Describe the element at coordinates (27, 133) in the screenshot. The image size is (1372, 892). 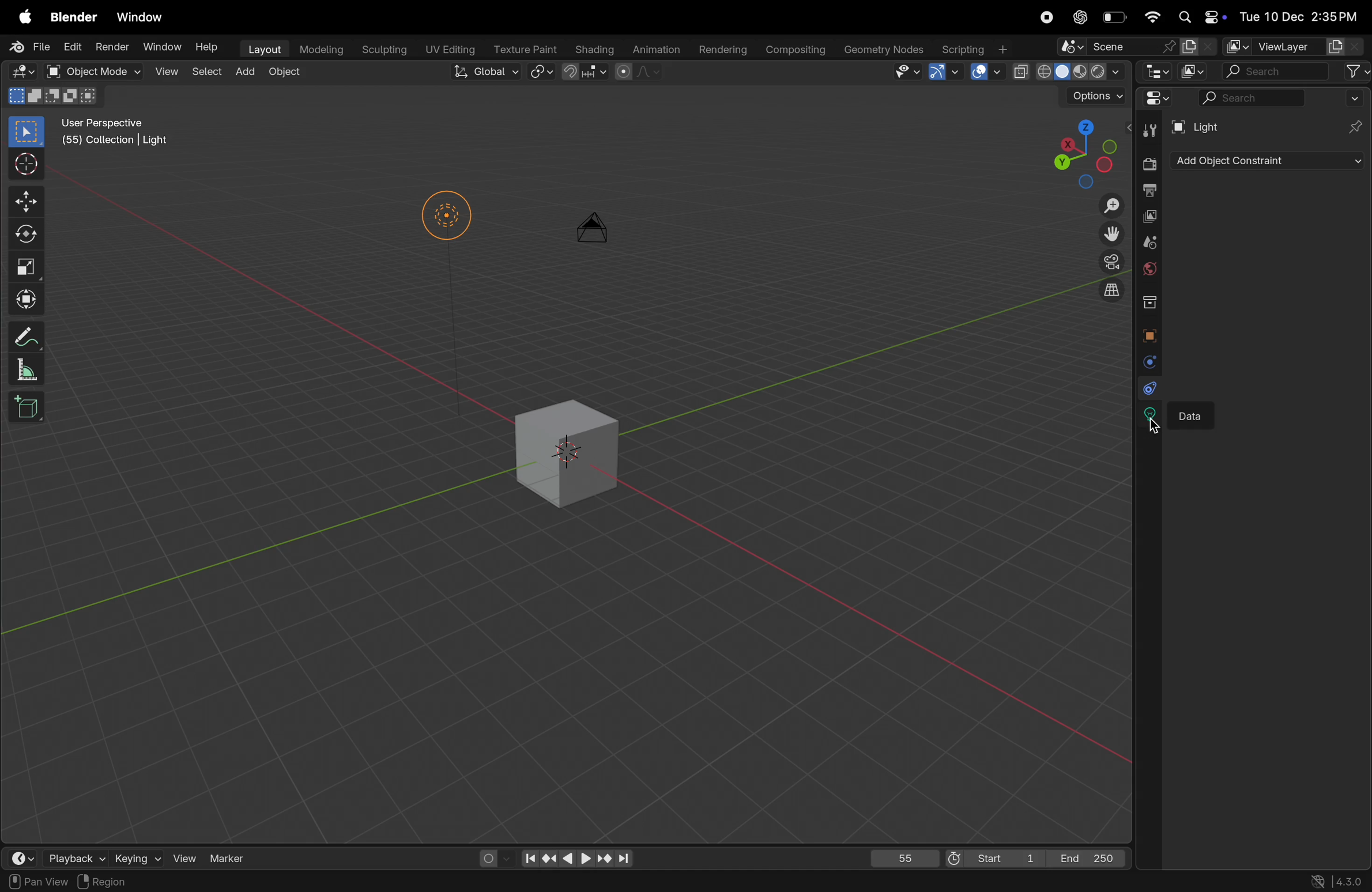
I see `select` at that location.